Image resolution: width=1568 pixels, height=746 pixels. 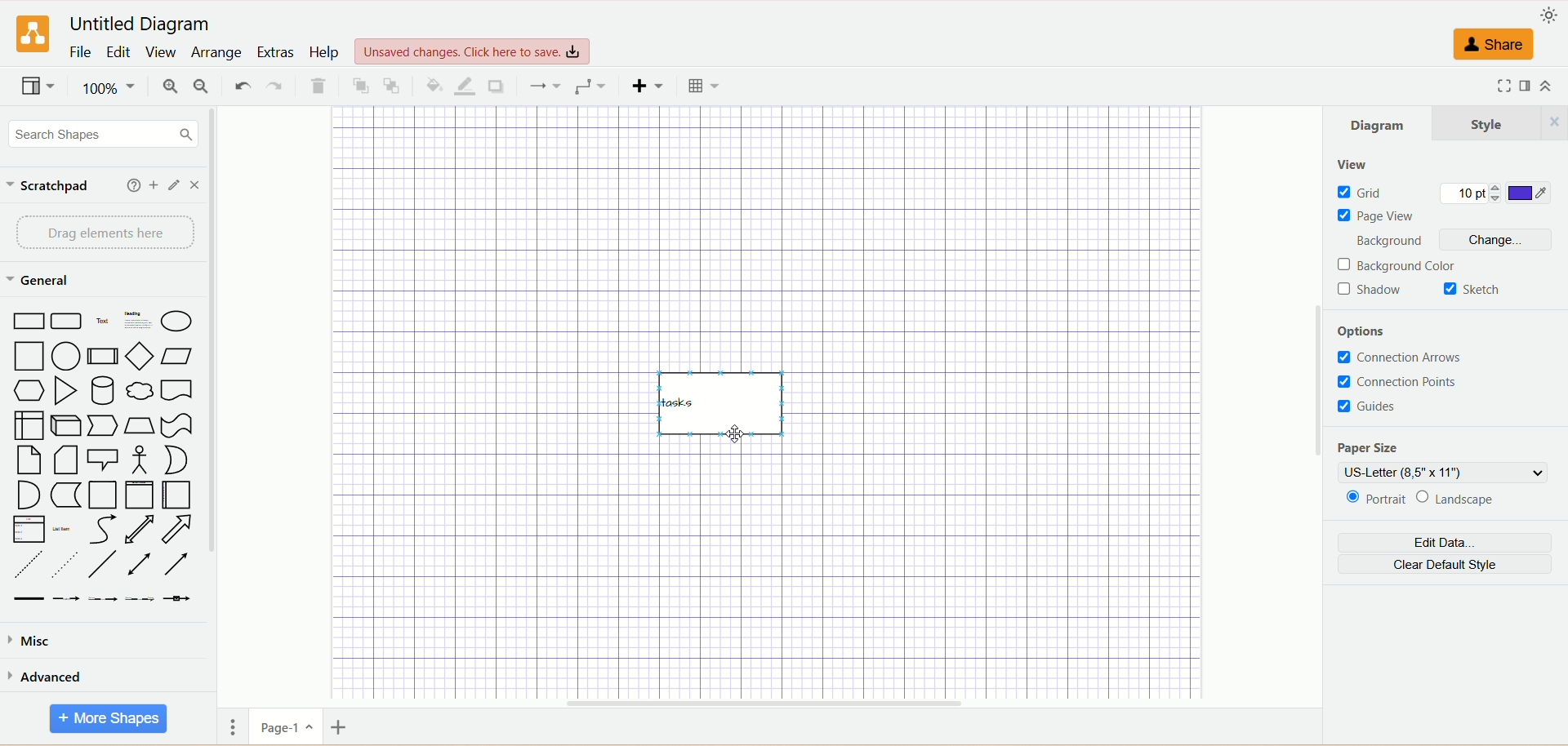 What do you see at coordinates (30, 461) in the screenshot?
I see `Page` at bounding box center [30, 461].